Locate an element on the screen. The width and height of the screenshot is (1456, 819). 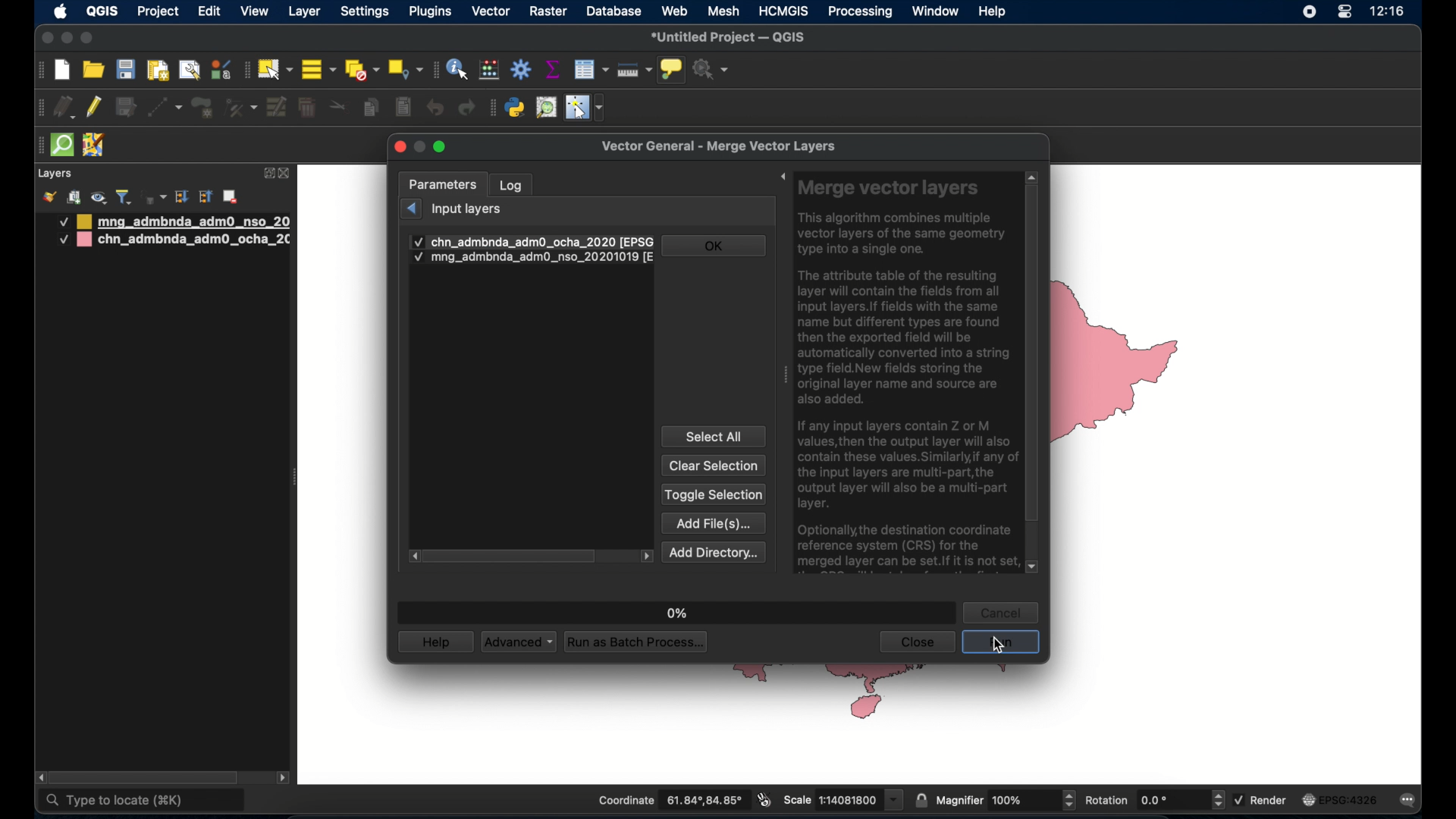
attributes table is located at coordinates (591, 69).